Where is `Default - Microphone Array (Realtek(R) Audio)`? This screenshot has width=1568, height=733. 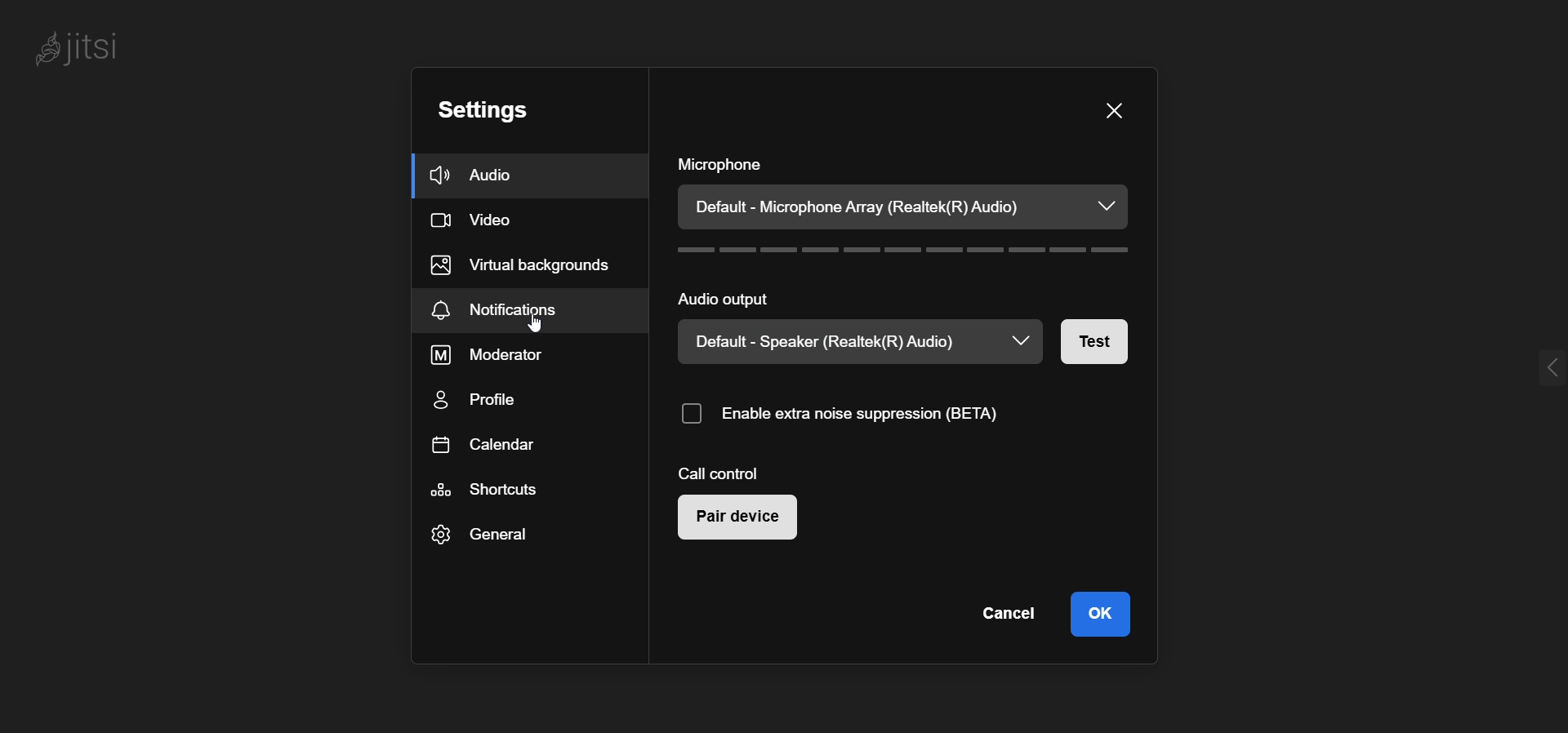 Default - Microphone Array (Realtek(R) Audio) is located at coordinates (858, 206).